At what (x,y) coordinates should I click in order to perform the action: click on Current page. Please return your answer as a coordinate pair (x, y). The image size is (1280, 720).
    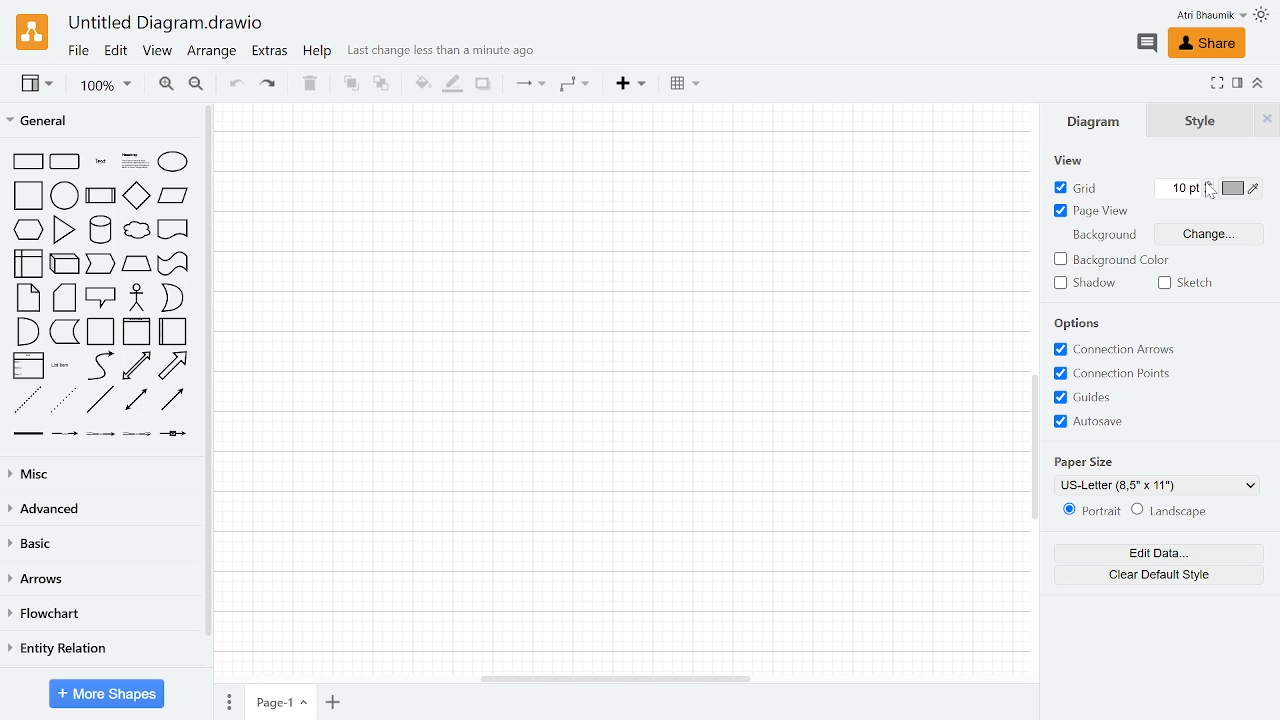
    Looking at the image, I should click on (281, 703).